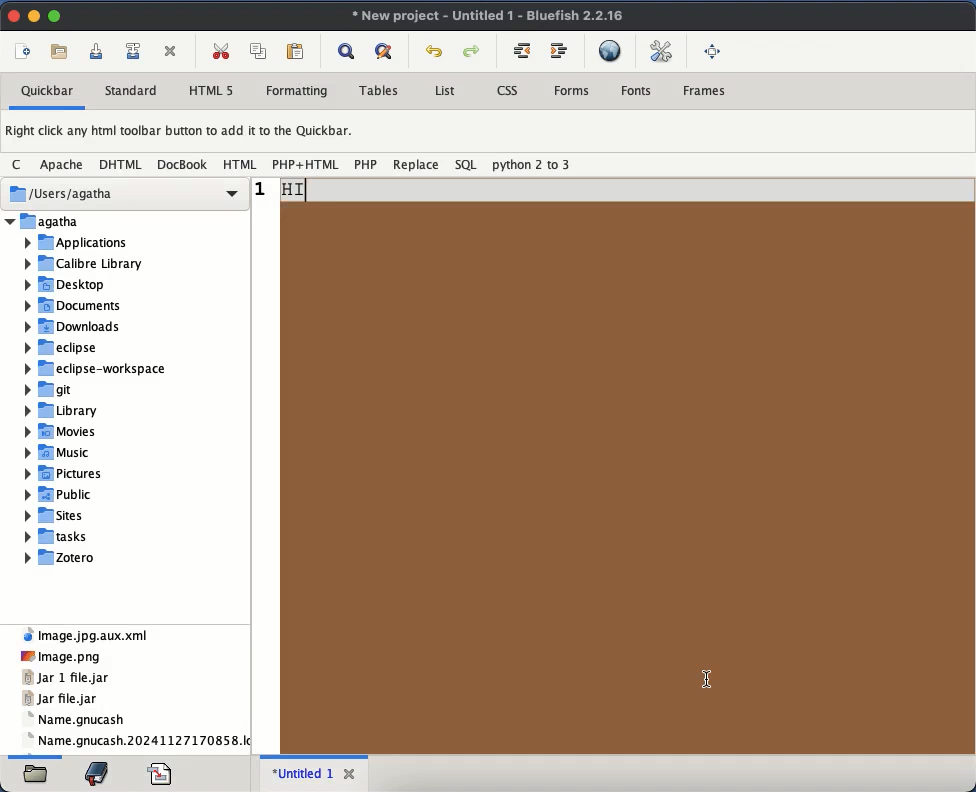  I want to click on agatha, so click(127, 220).